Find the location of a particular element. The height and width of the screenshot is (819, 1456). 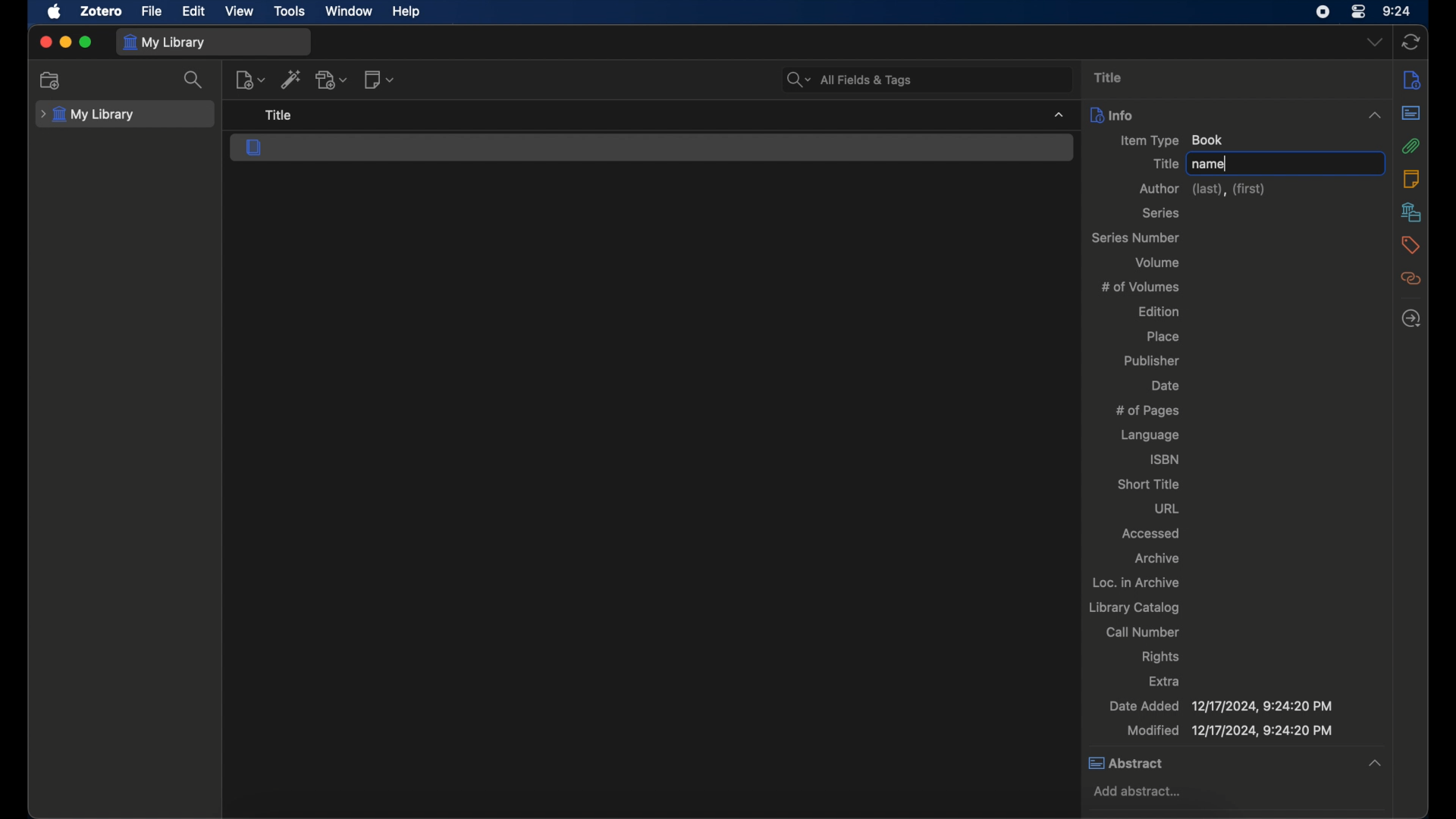

url is located at coordinates (1166, 509).